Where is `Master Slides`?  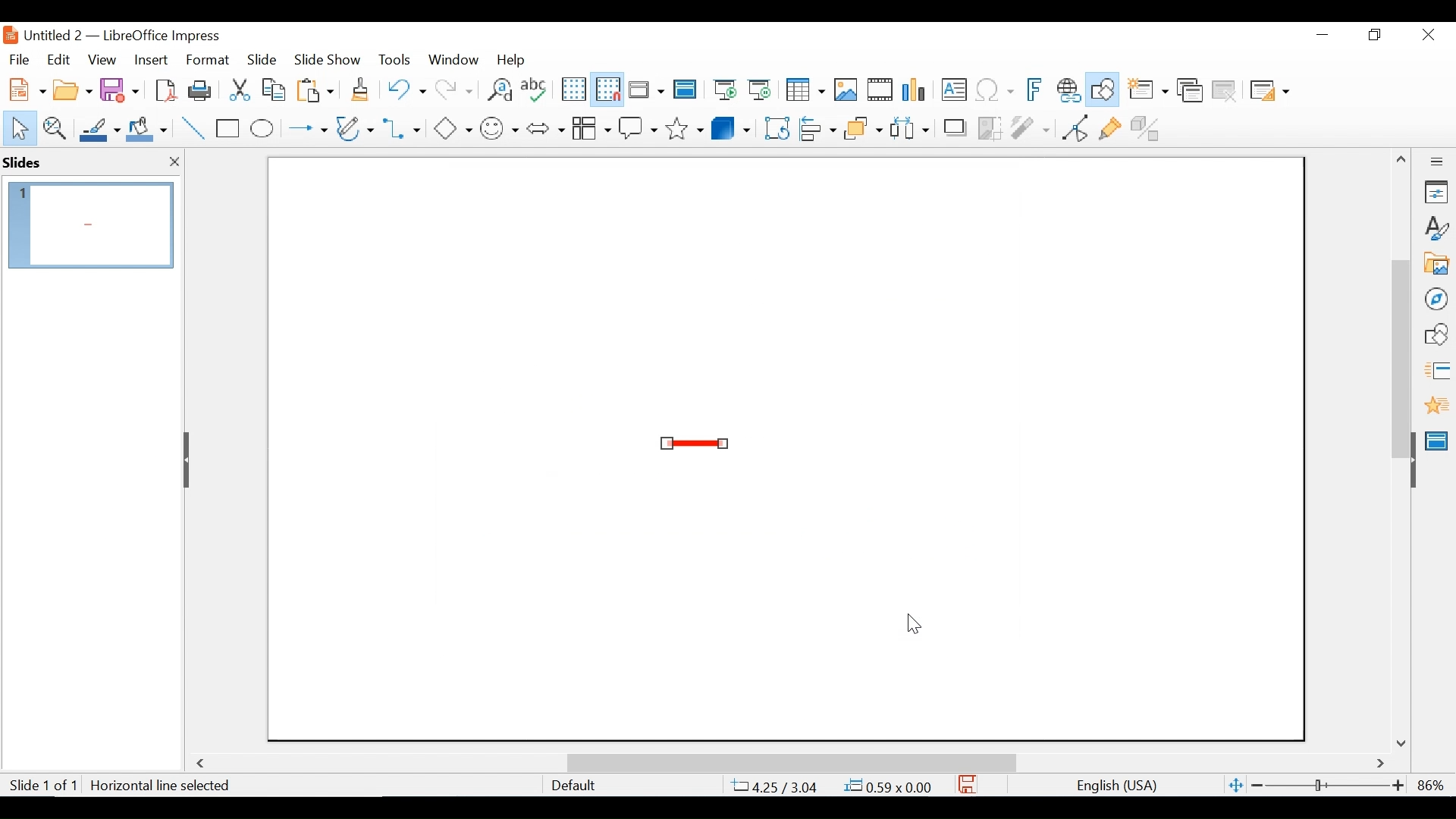
Master Slides is located at coordinates (686, 91).